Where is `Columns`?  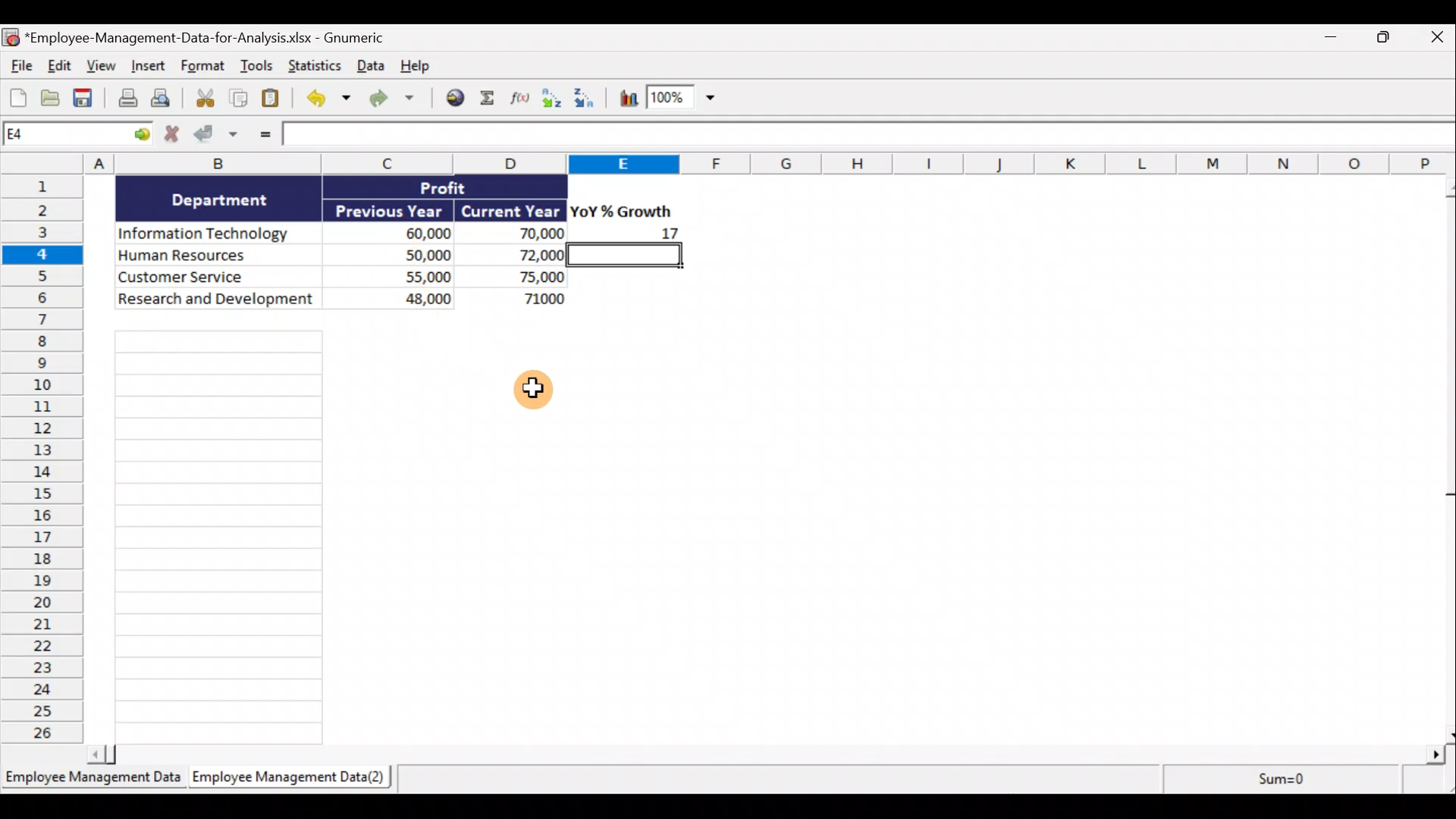 Columns is located at coordinates (728, 163).